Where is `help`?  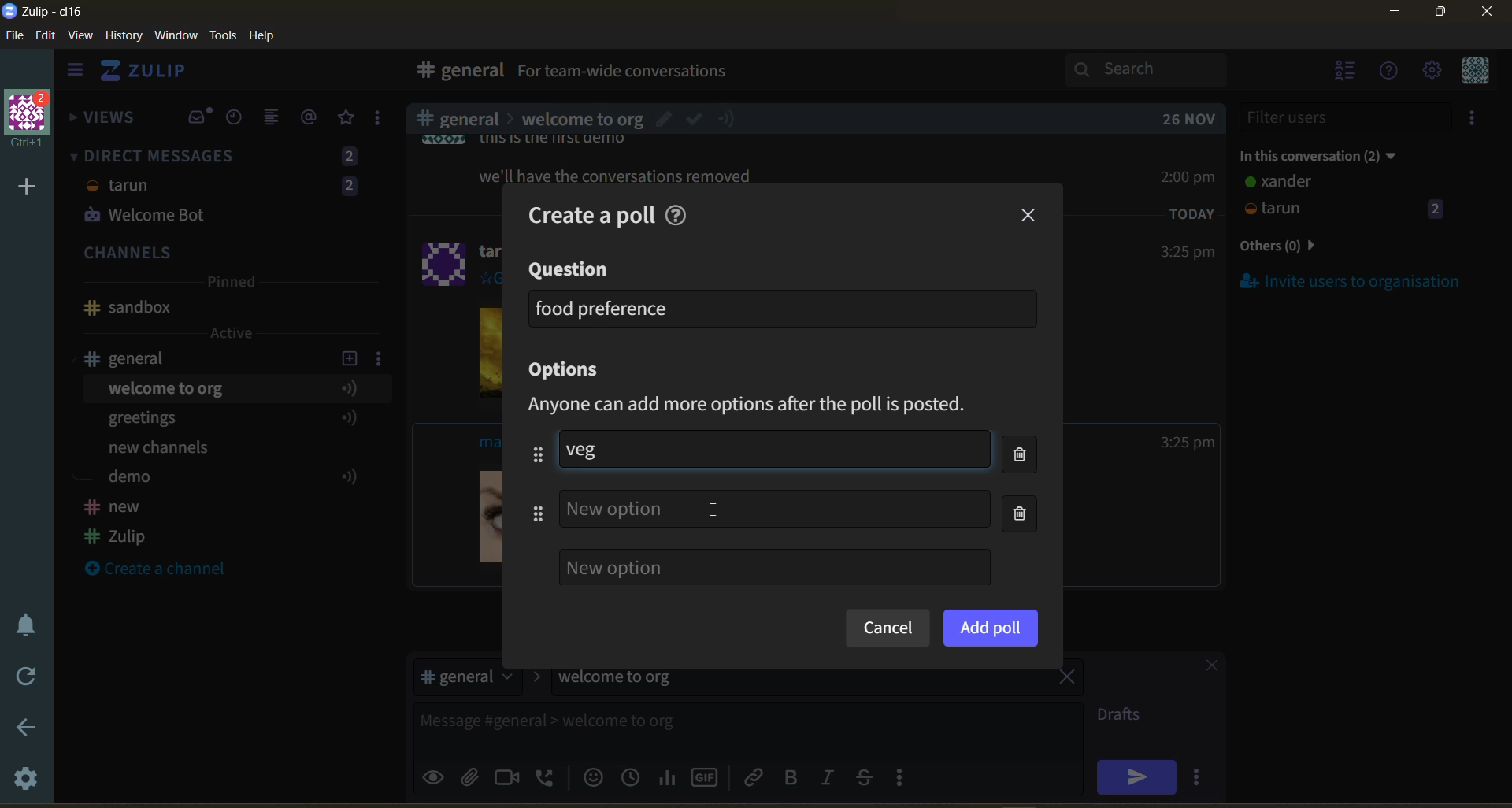 help is located at coordinates (915, 74).